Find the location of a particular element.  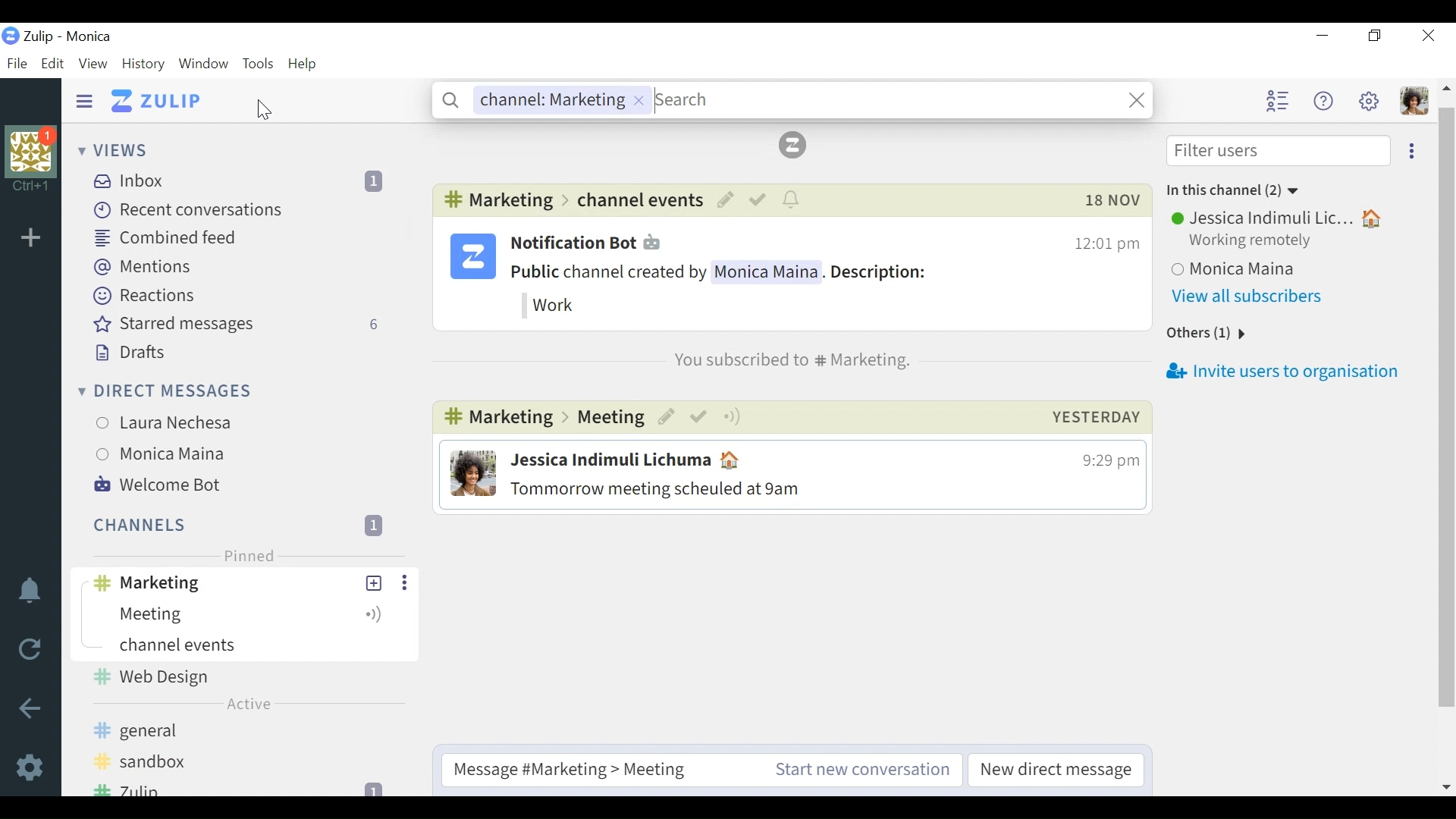

channel is located at coordinates (246, 787).